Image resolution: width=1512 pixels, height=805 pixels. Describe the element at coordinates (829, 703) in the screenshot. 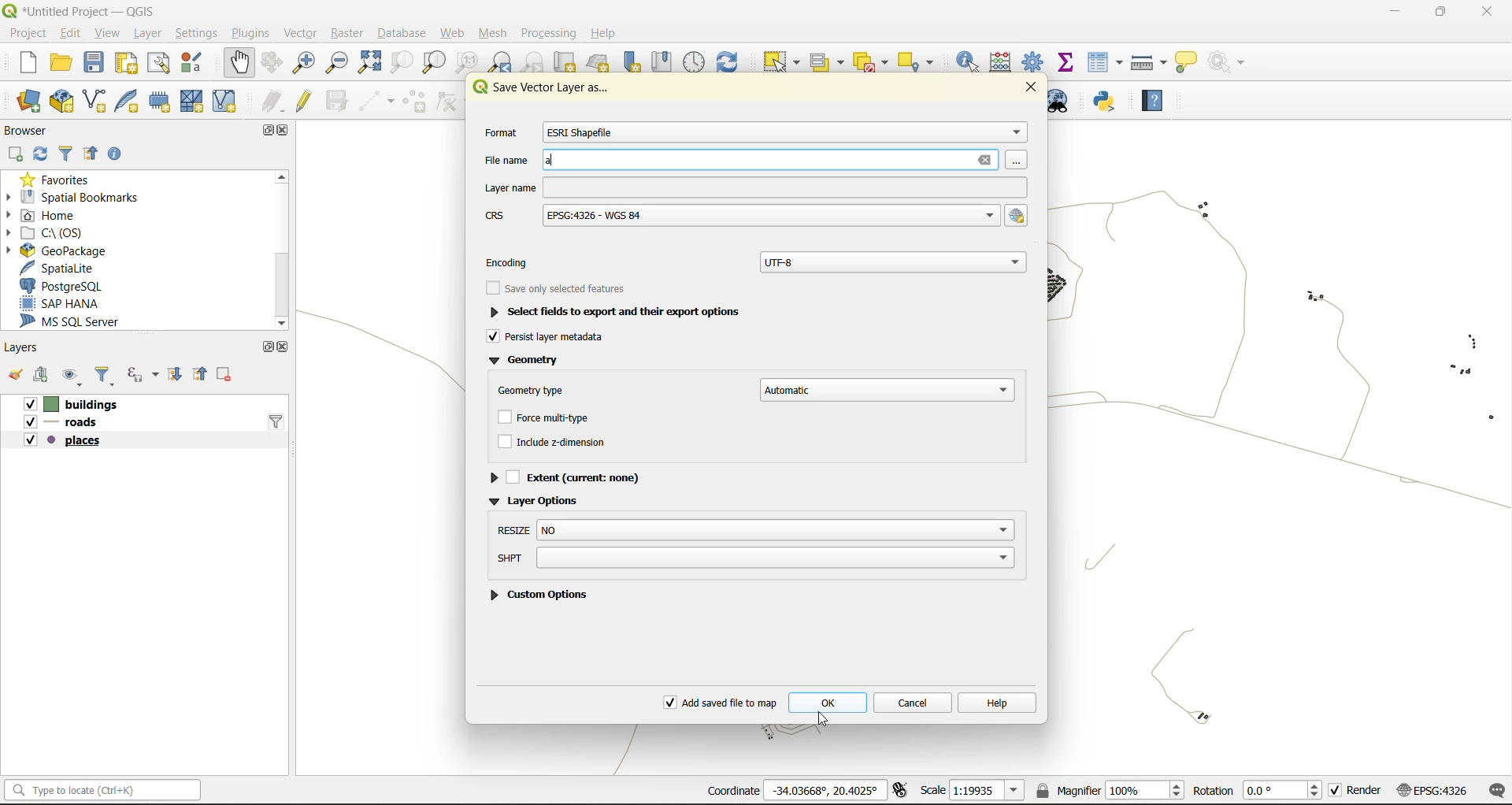

I see `ok` at that location.